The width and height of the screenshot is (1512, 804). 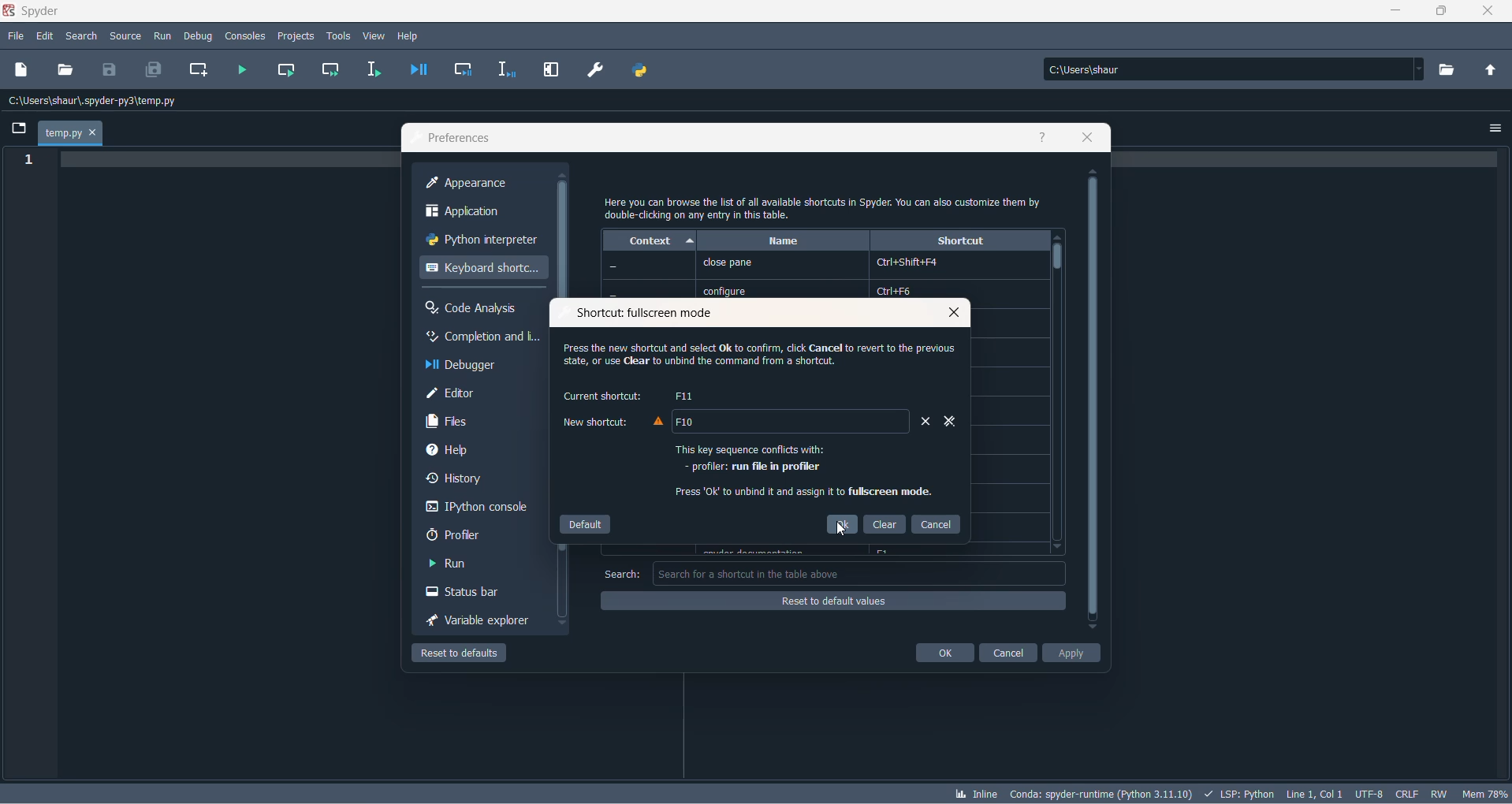 I want to click on spyder application name, so click(x=34, y=12).